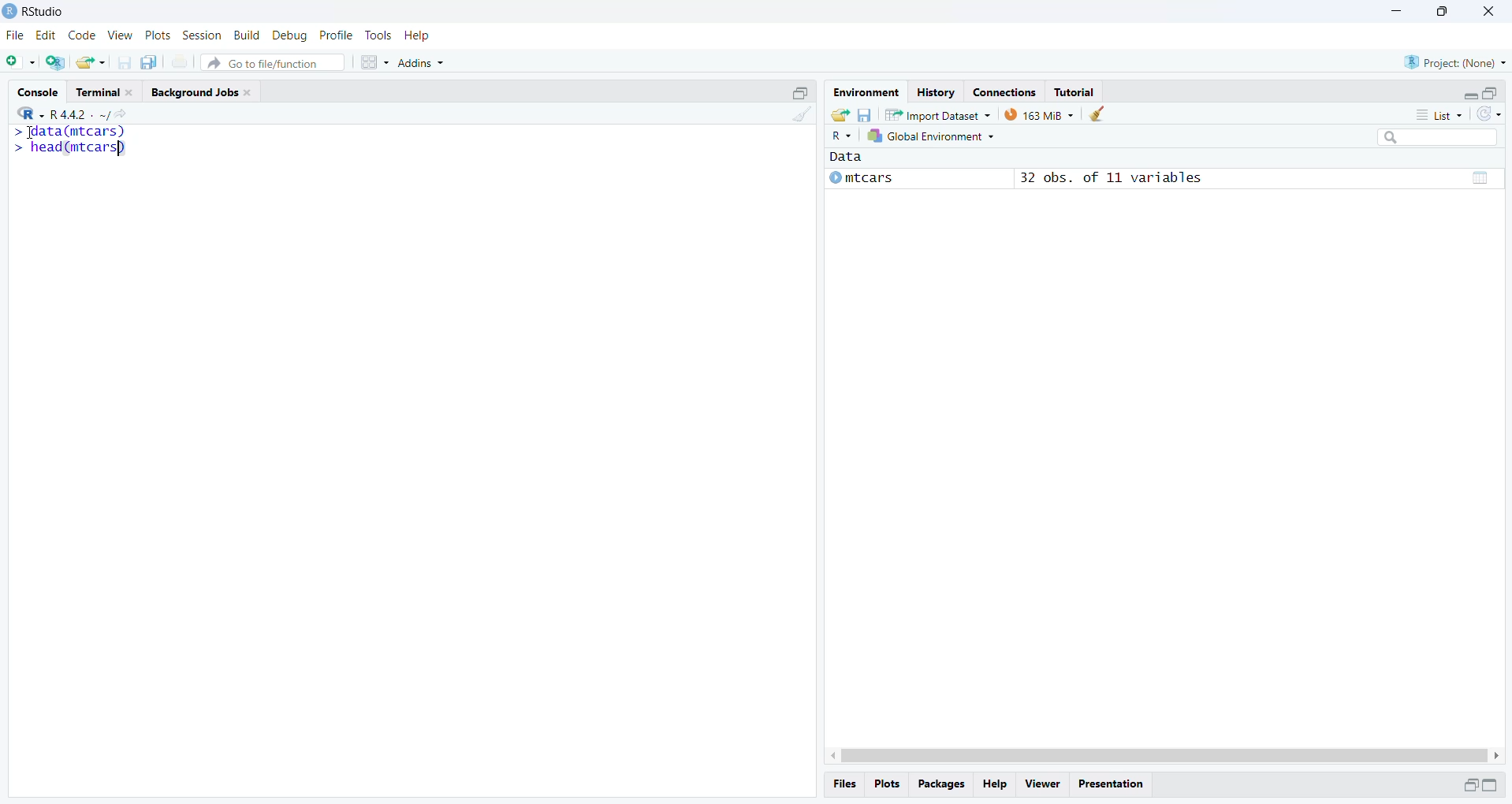 The width and height of the screenshot is (1512, 804). What do you see at coordinates (69, 148) in the screenshot?
I see `> head(mtcars)` at bounding box center [69, 148].